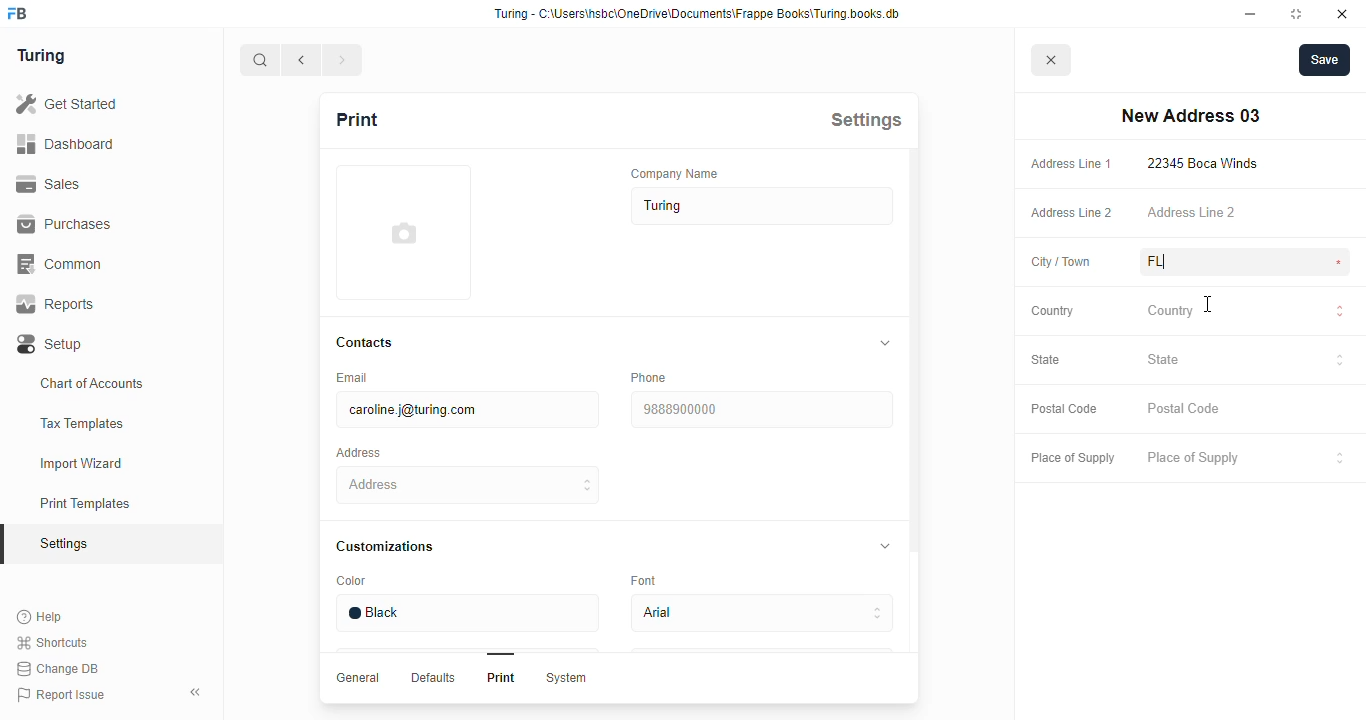 The width and height of the screenshot is (1366, 720). What do you see at coordinates (351, 581) in the screenshot?
I see `color` at bounding box center [351, 581].